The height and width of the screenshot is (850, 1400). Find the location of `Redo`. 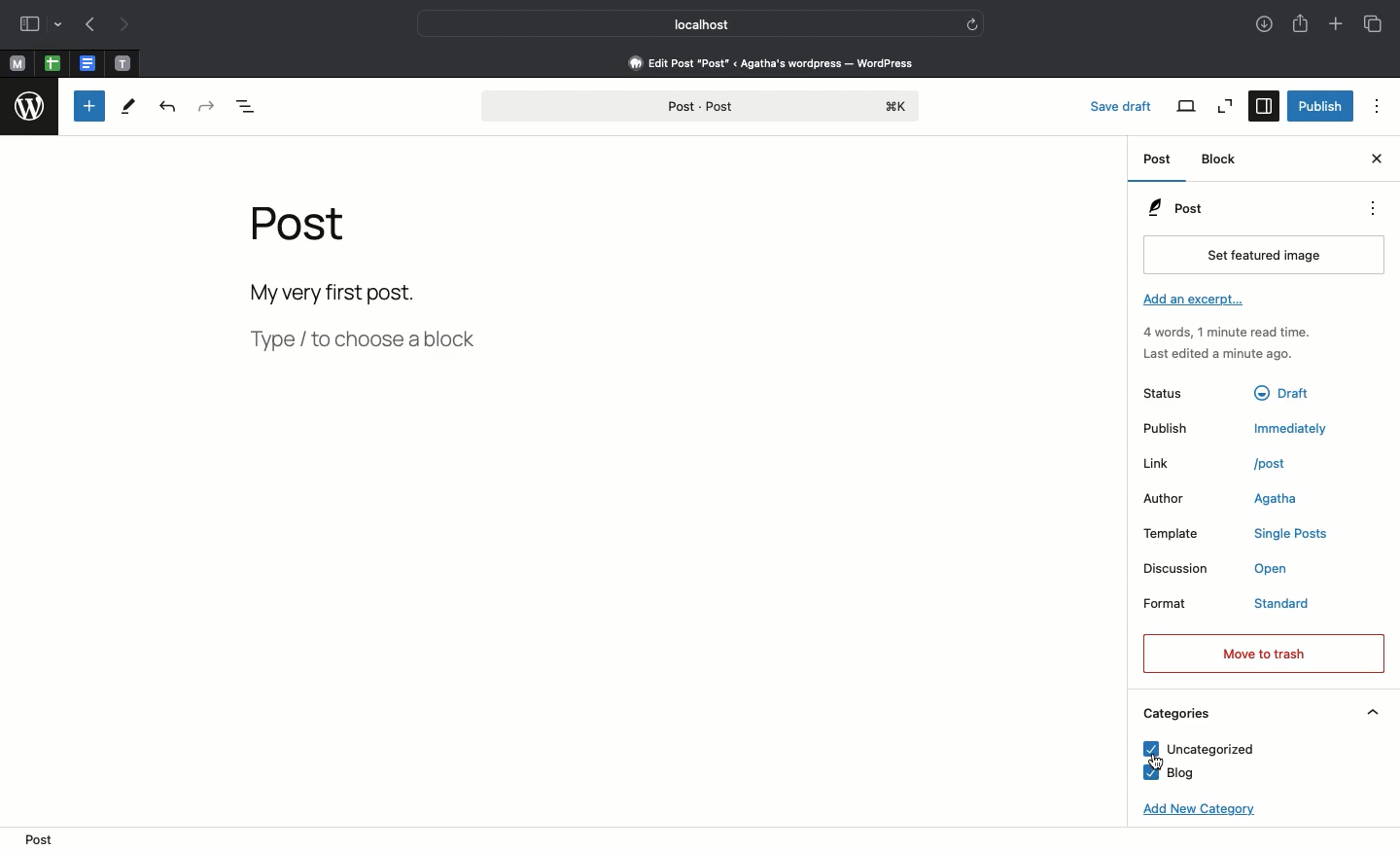

Redo is located at coordinates (207, 107).